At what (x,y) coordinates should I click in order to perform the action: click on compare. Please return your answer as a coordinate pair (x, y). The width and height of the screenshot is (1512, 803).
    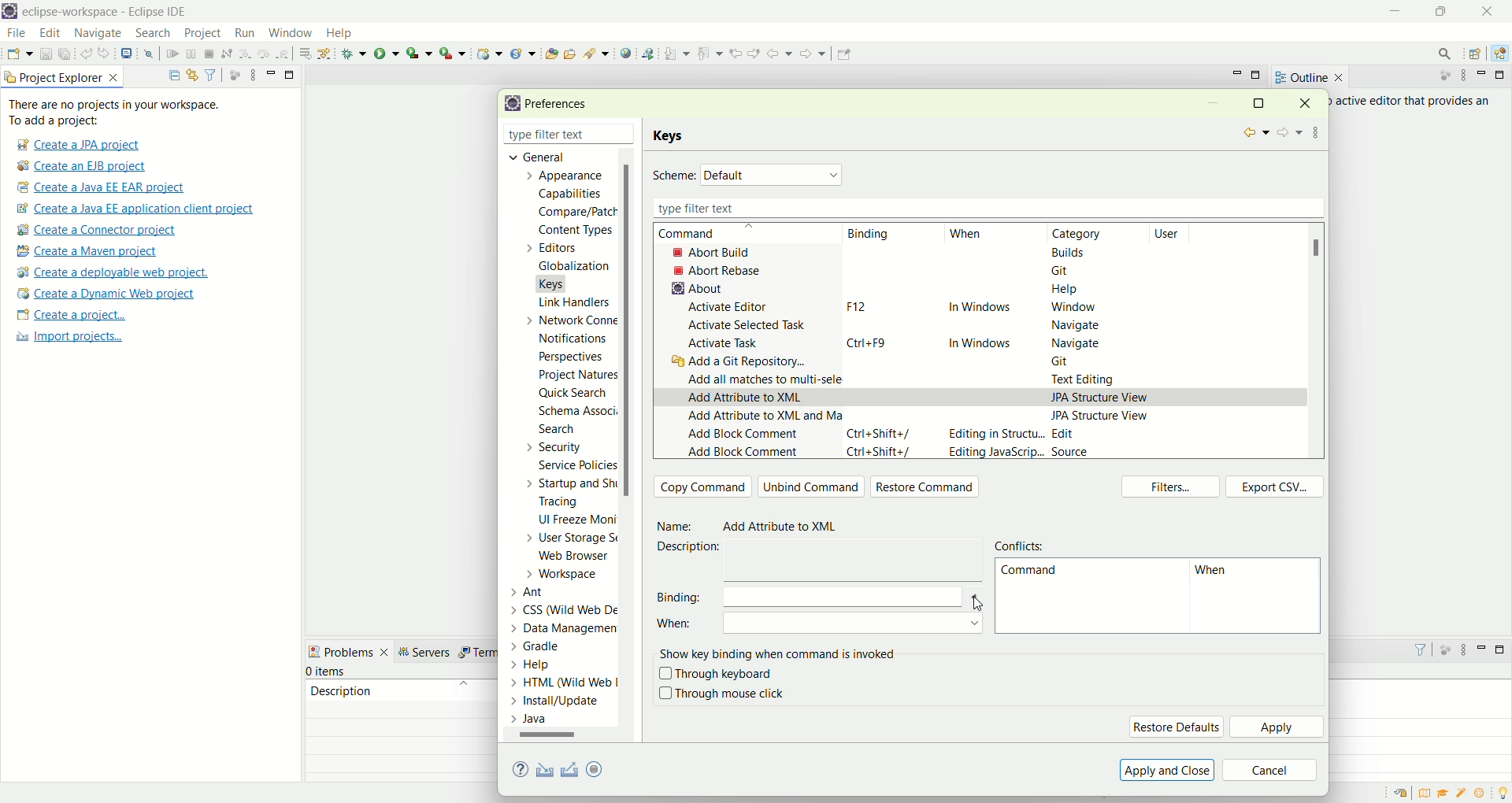
    Looking at the image, I should click on (576, 211).